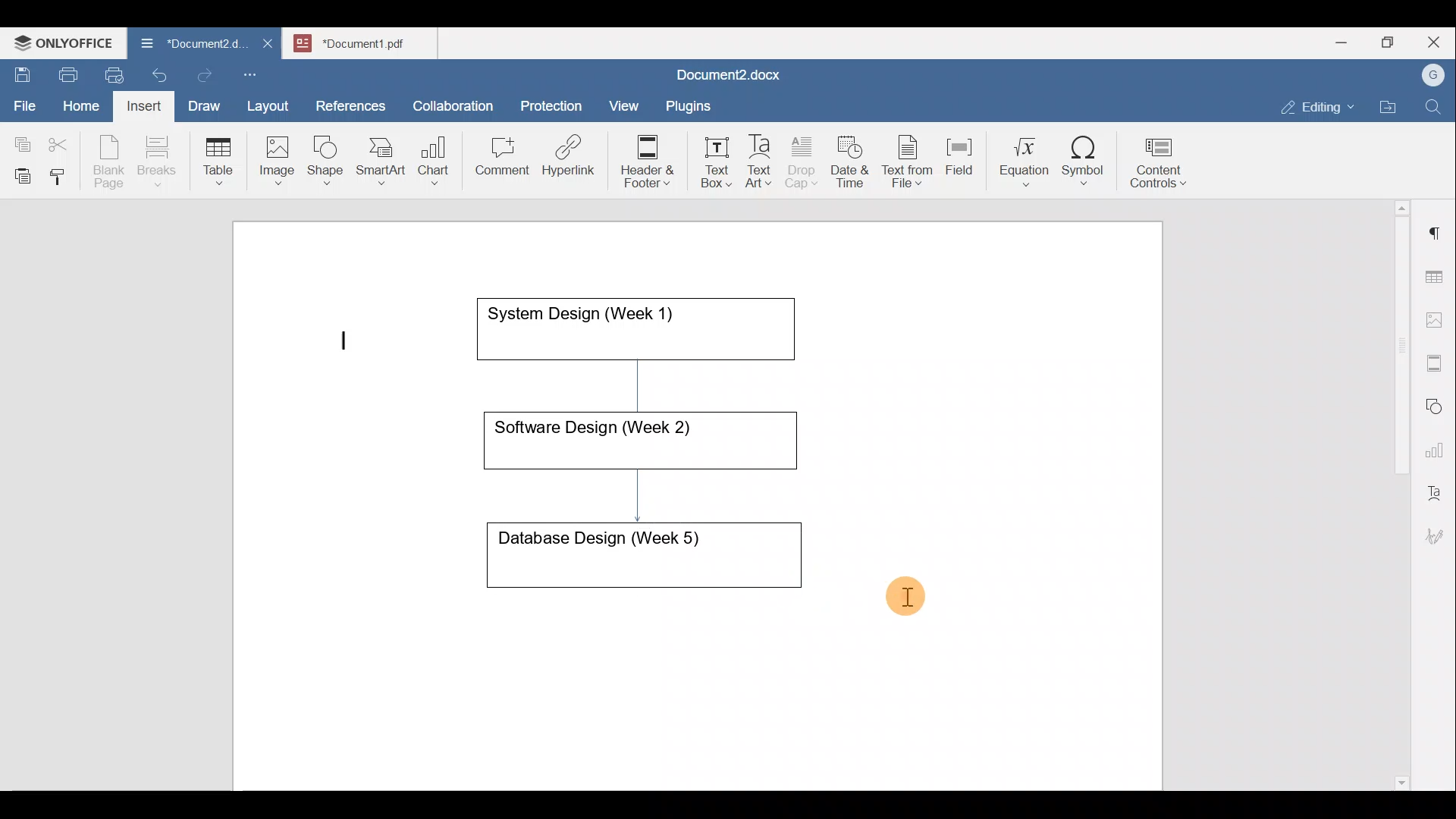 The height and width of the screenshot is (819, 1456). Describe the element at coordinates (1437, 404) in the screenshot. I see `Shapes settings` at that location.